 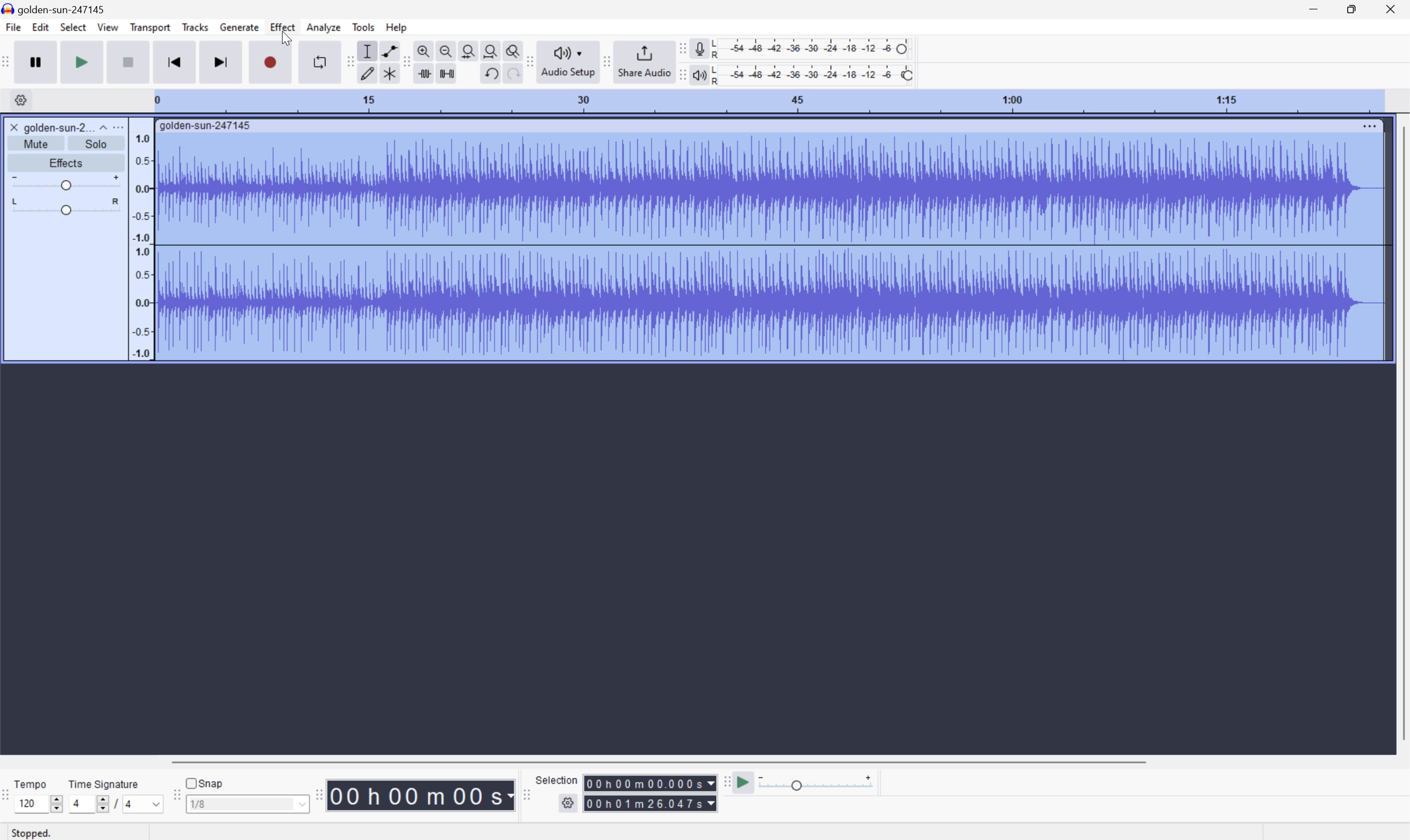 What do you see at coordinates (567, 804) in the screenshot?
I see `Settings` at bounding box center [567, 804].